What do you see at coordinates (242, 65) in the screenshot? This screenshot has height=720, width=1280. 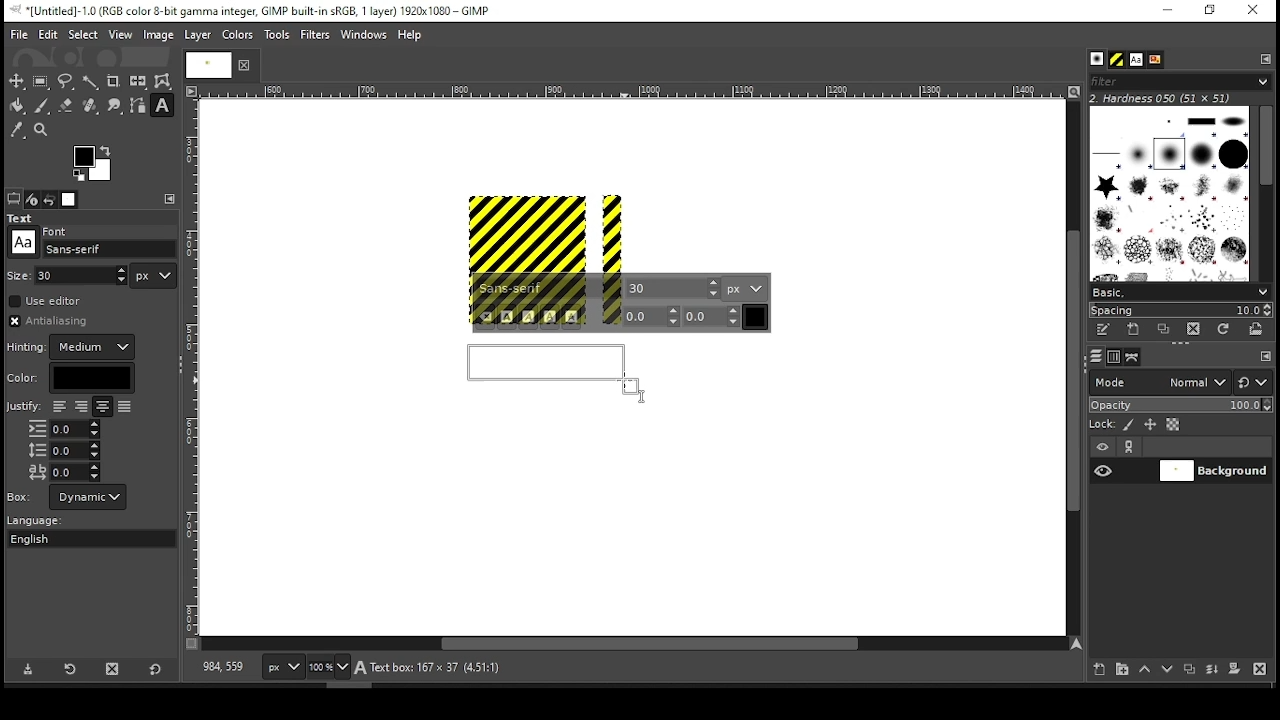 I see `close` at bounding box center [242, 65].